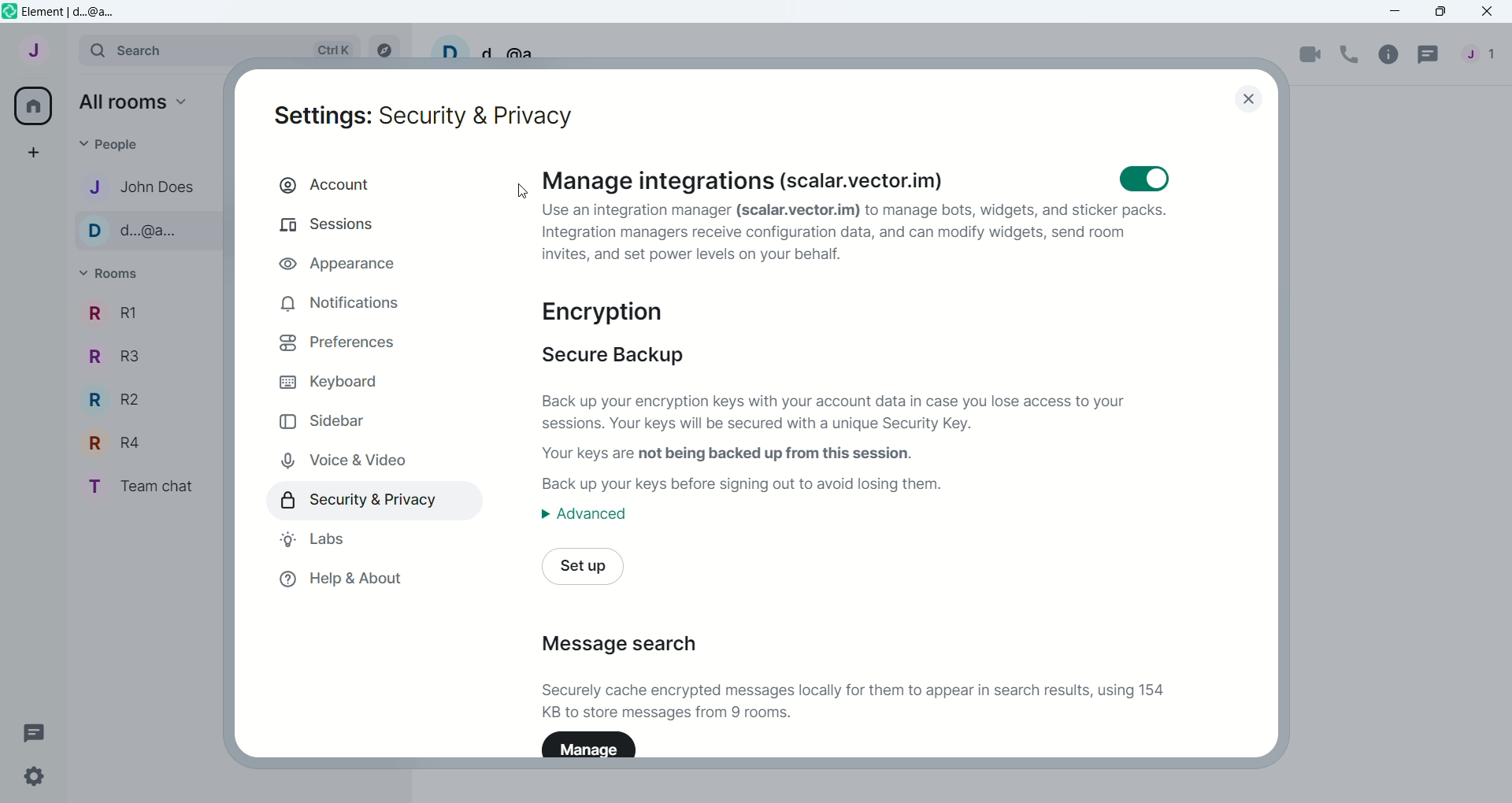 Image resolution: width=1512 pixels, height=803 pixels. Describe the element at coordinates (1477, 56) in the screenshot. I see `people` at that location.